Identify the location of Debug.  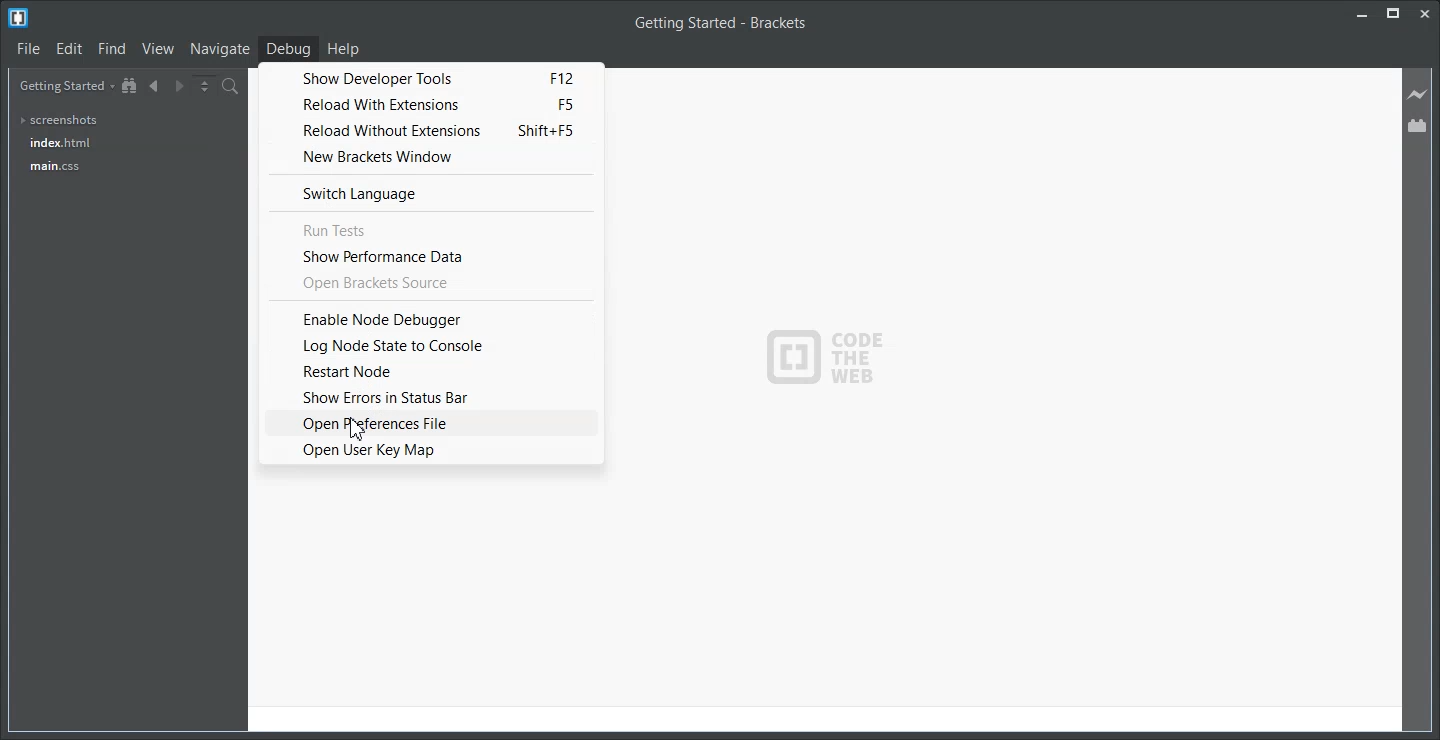
(289, 50).